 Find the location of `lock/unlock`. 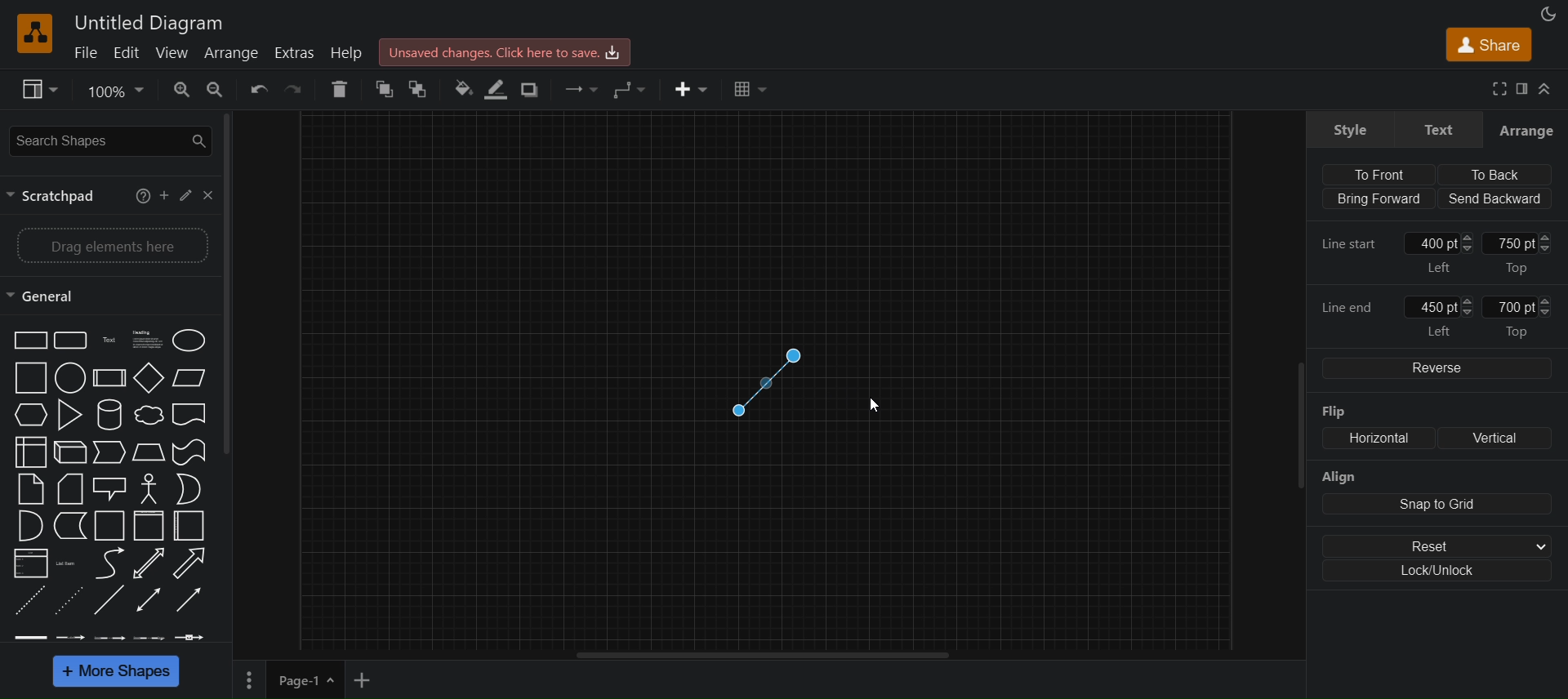

lock/unlock is located at coordinates (1441, 573).